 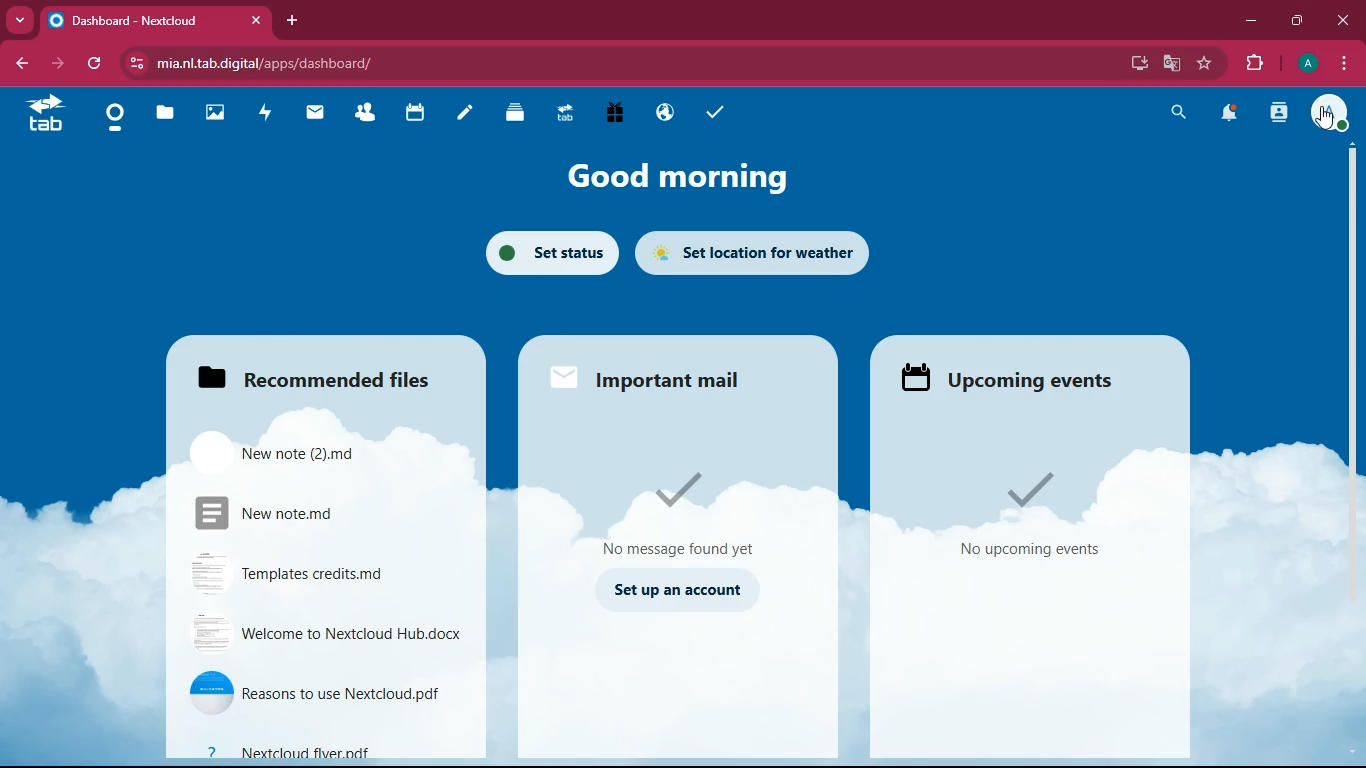 What do you see at coordinates (412, 115) in the screenshot?
I see `calendar` at bounding box center [412, 115].